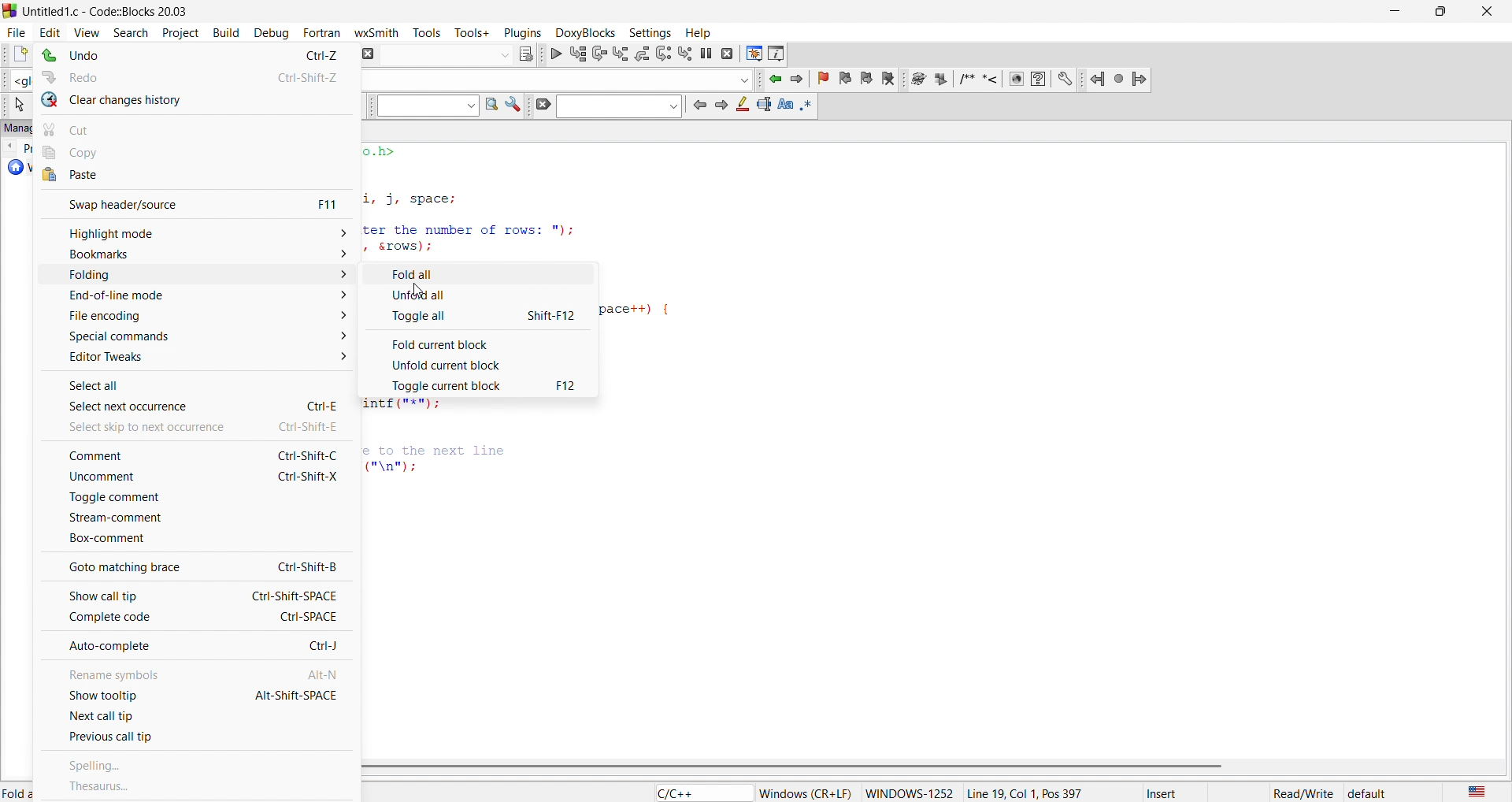 Image resolution: width=1512 pixels, height=802 pixels. Describe the element at coordinates (480, 272) in the screenshot. I see `` at that location.